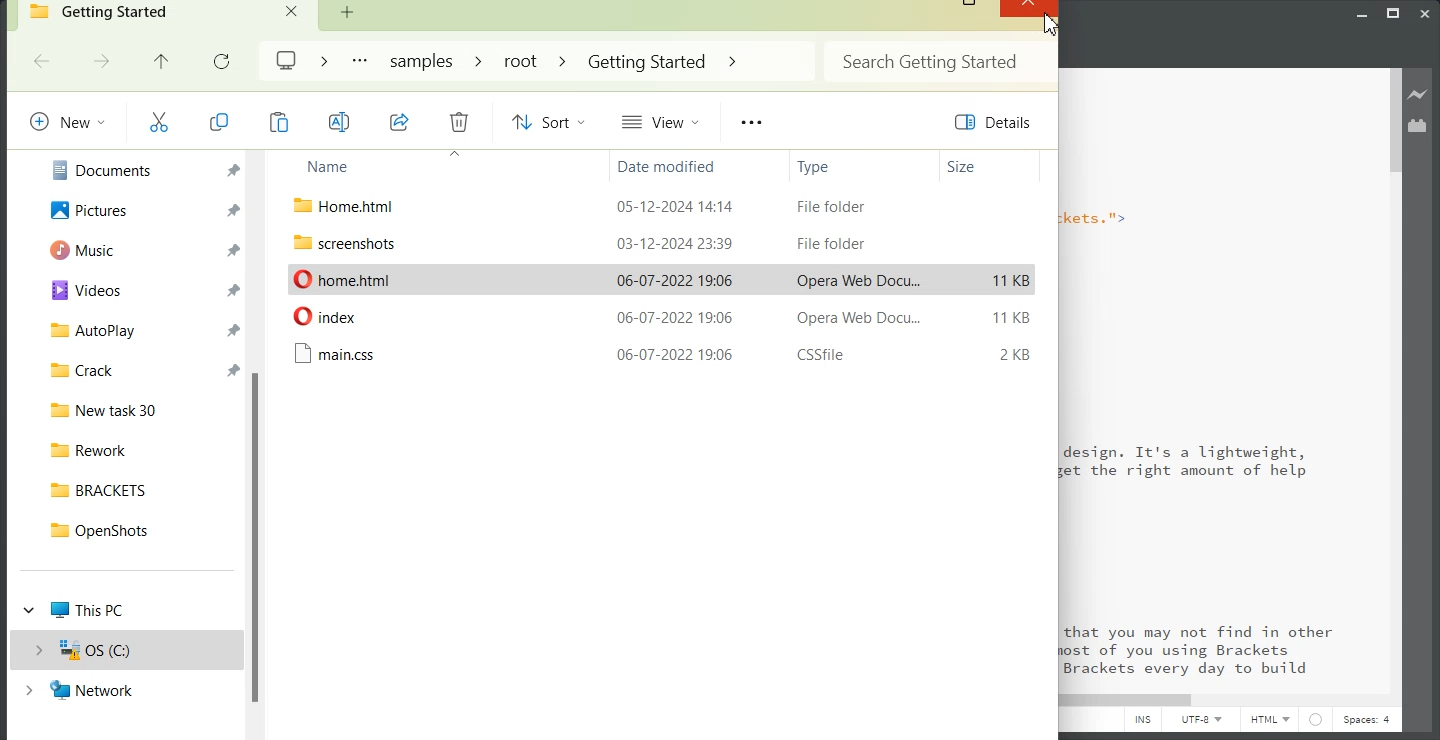  Describe the element at coordinates (138, 250) in the screenshot. I see `Music` at that location.